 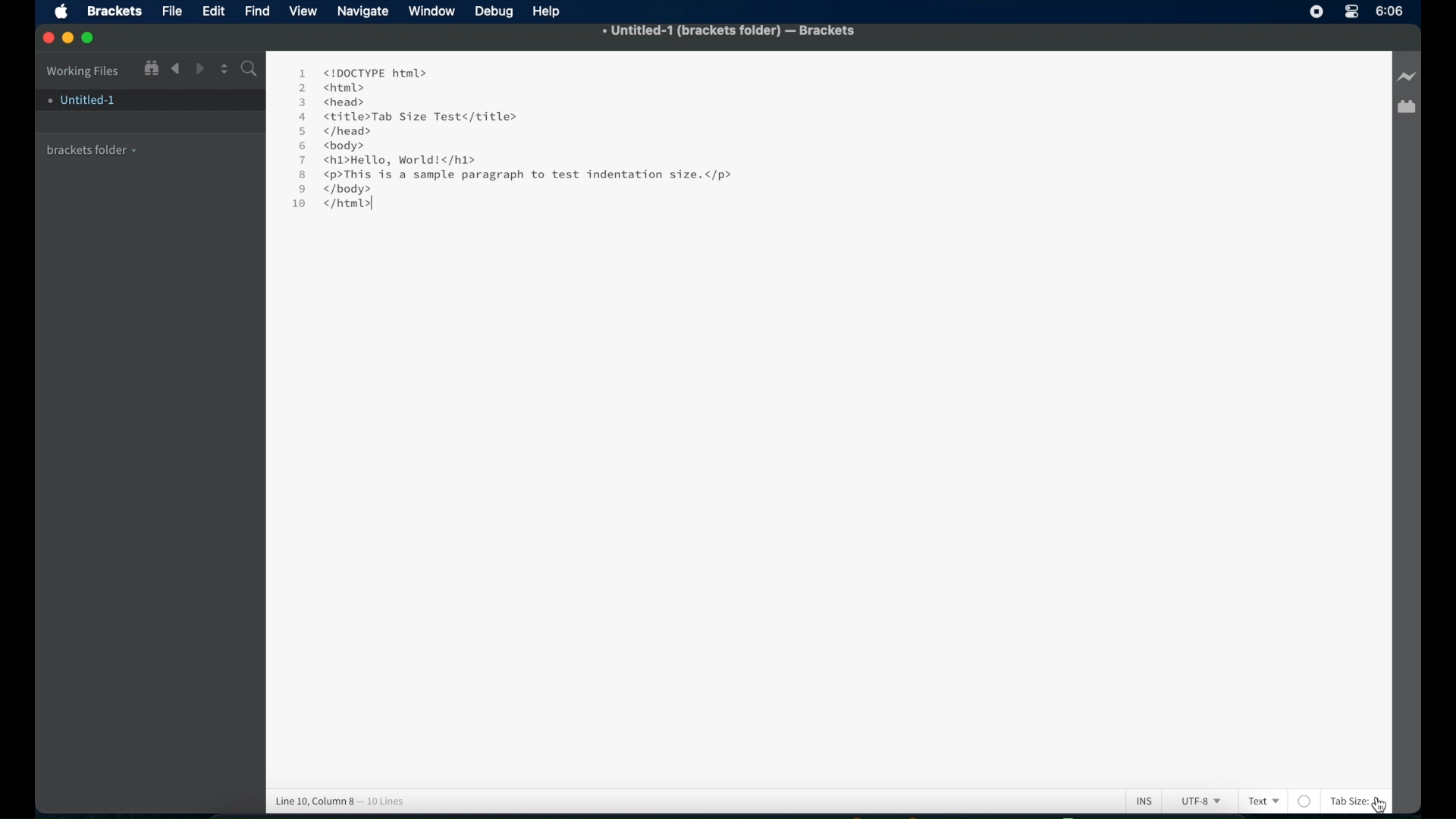 What do you see at coordinates (248, 71) in the screenshot?
I see `Find` at bounding box center [248, 71].